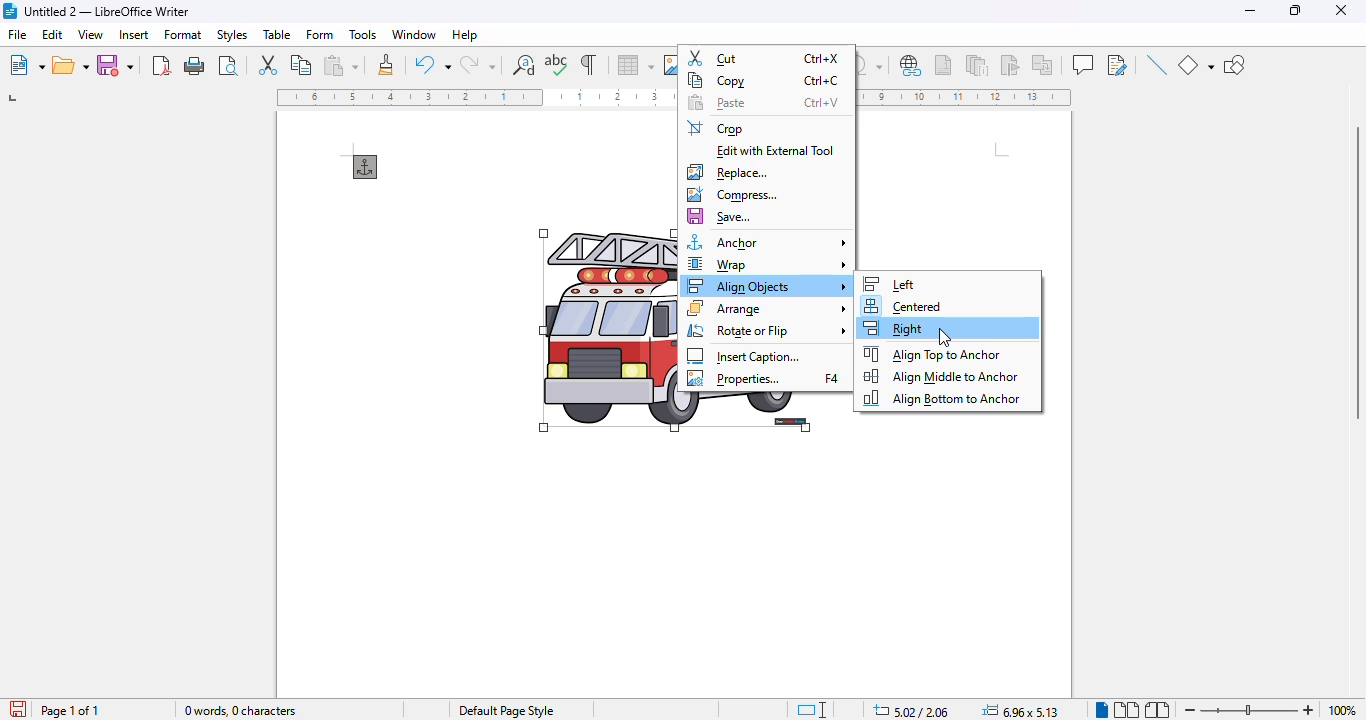 Image resolution: width=1366 pixels, height=720 pixels. I want to click on word and character count, so click(242, 710).